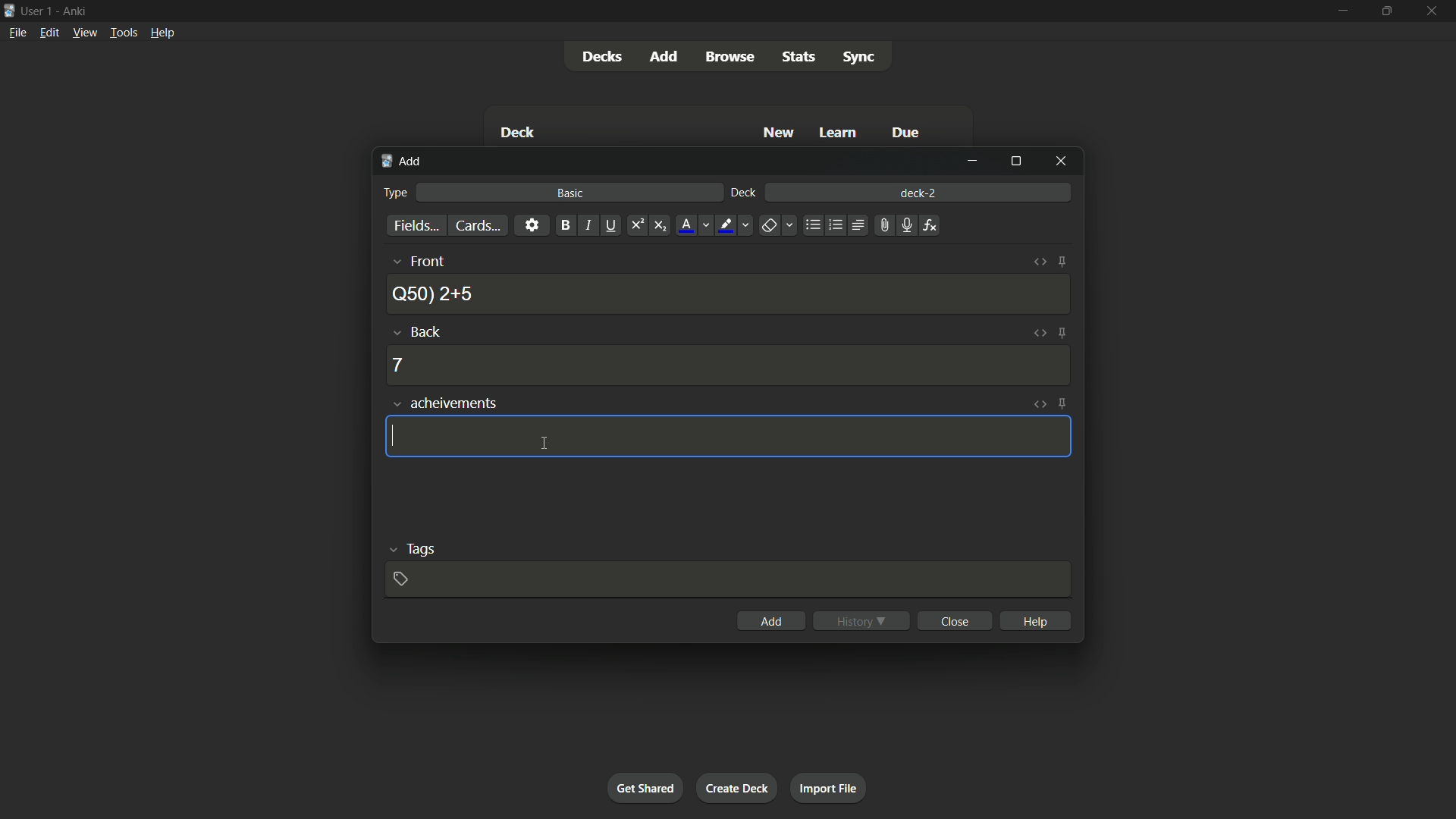 This screenshot has width=1456, height=819. Describe the element at coordinates (661, 225) in the screenshot. I see `subscript` at that location.